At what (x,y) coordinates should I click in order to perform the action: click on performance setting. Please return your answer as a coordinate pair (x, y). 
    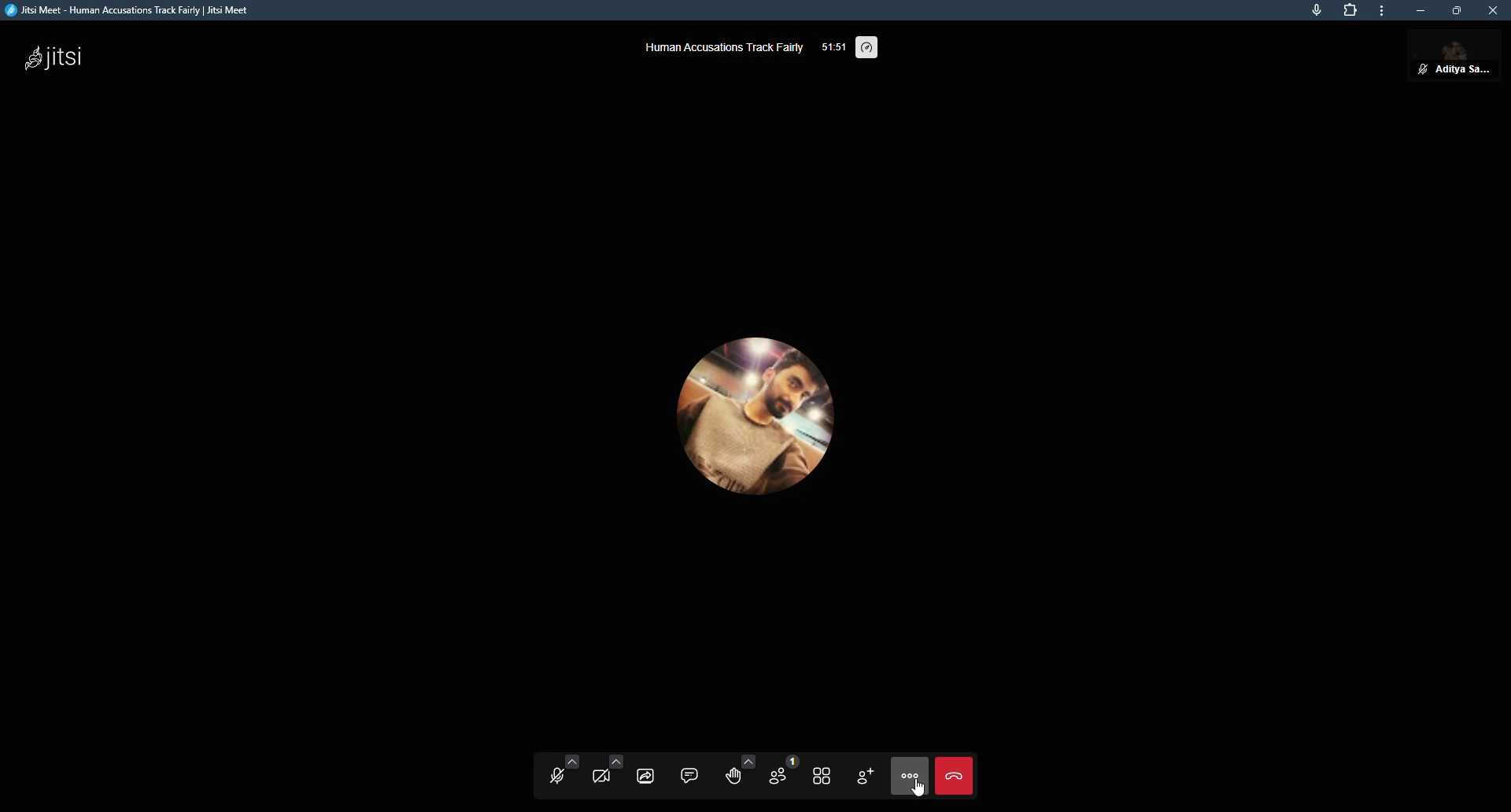
    Looking at the image, I should click on (872, 46).